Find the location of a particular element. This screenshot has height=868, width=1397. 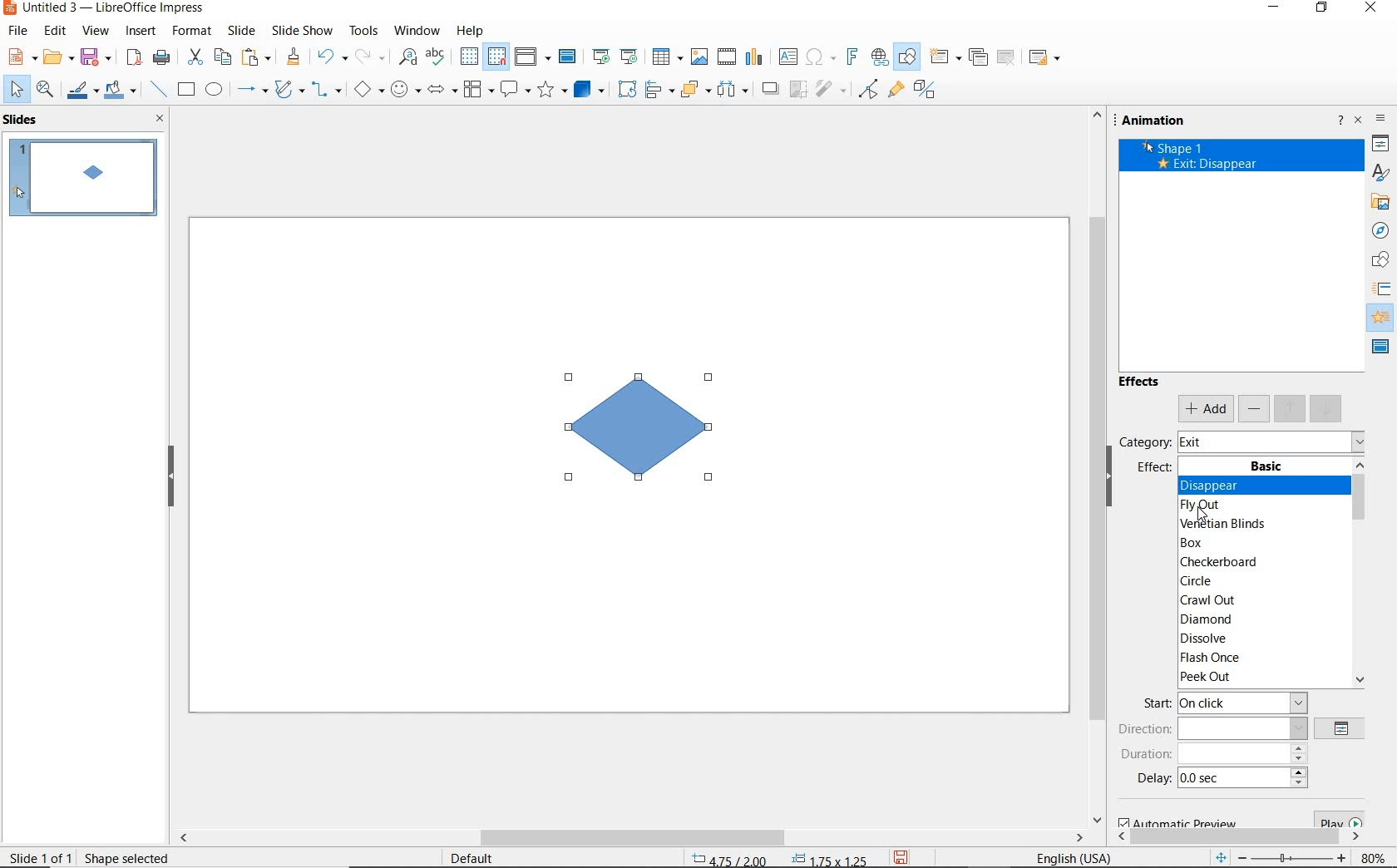

zoom factor is located at coordinates (1372, 856).